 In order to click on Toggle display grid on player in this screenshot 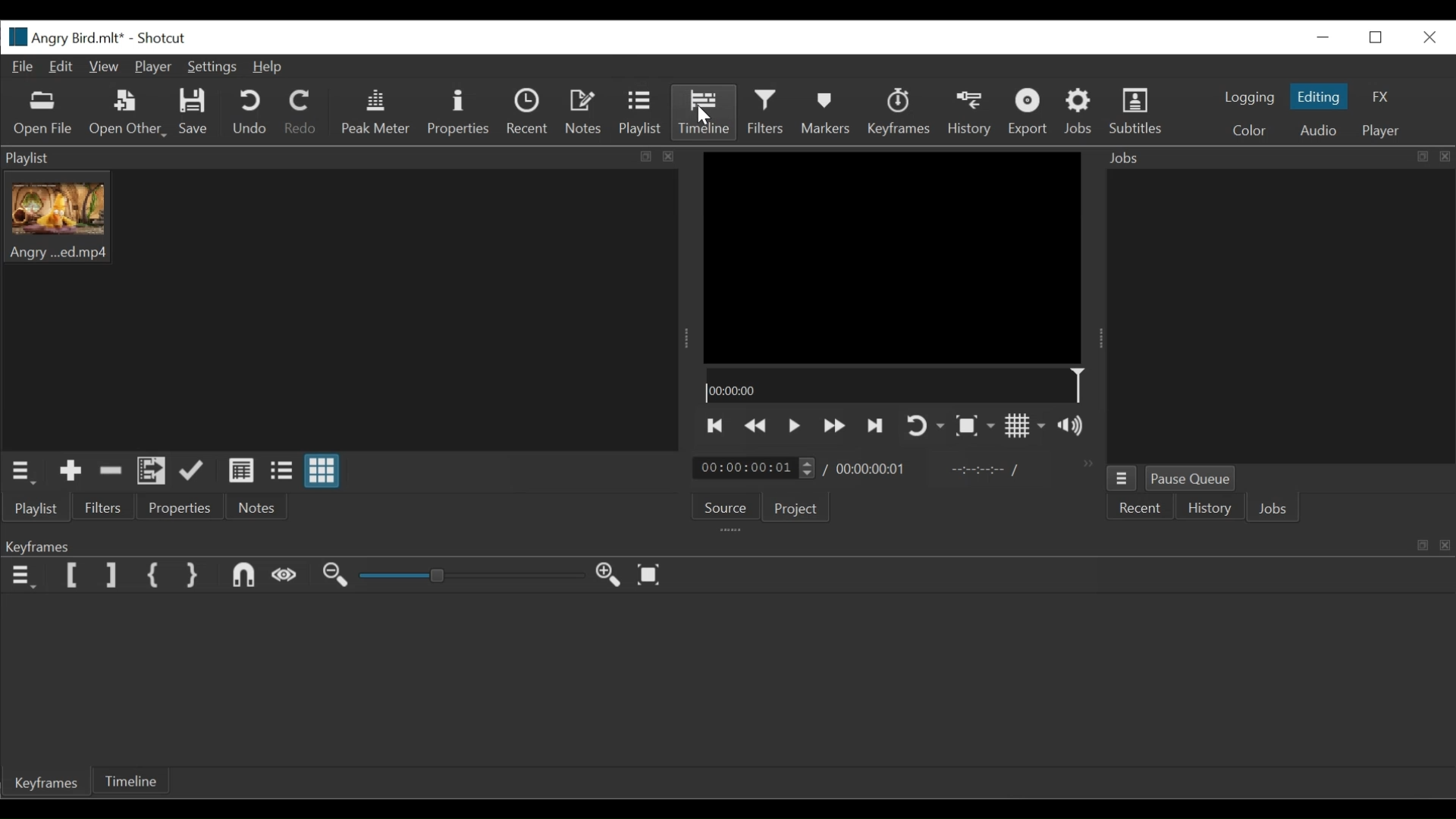, I will do `click(1026, 426)`.